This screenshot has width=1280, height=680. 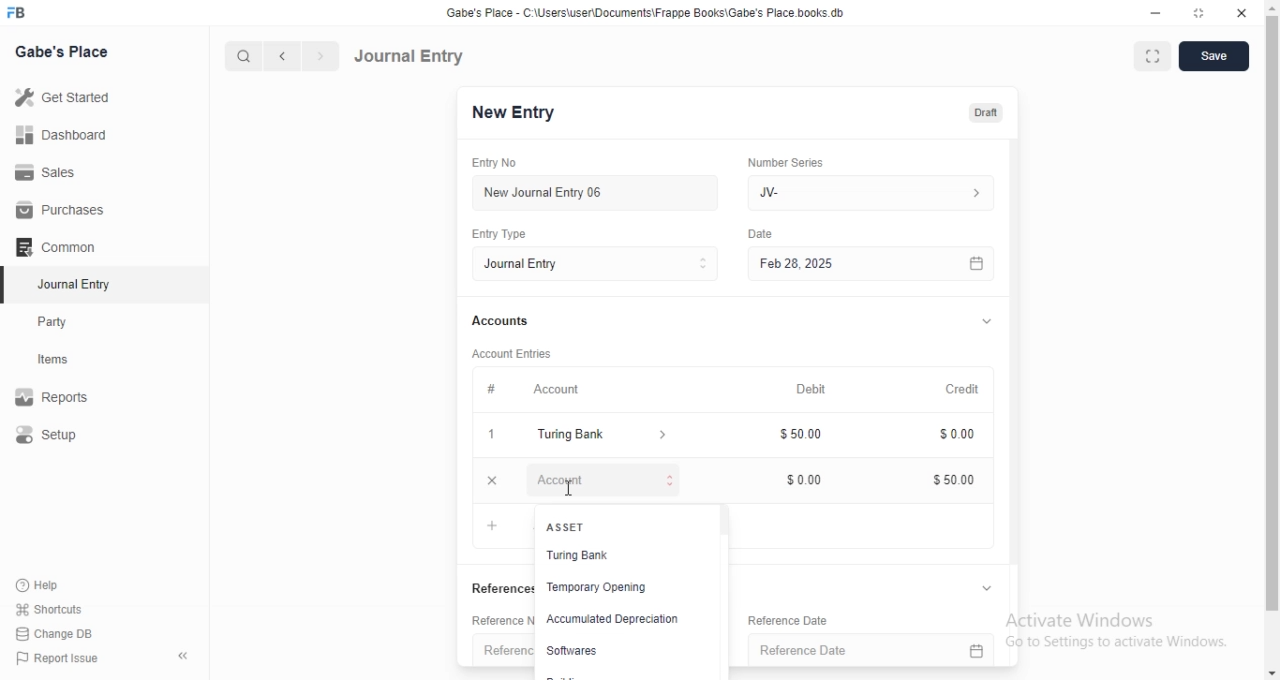 I want to click on New Entry, so click(x=519, y=113).